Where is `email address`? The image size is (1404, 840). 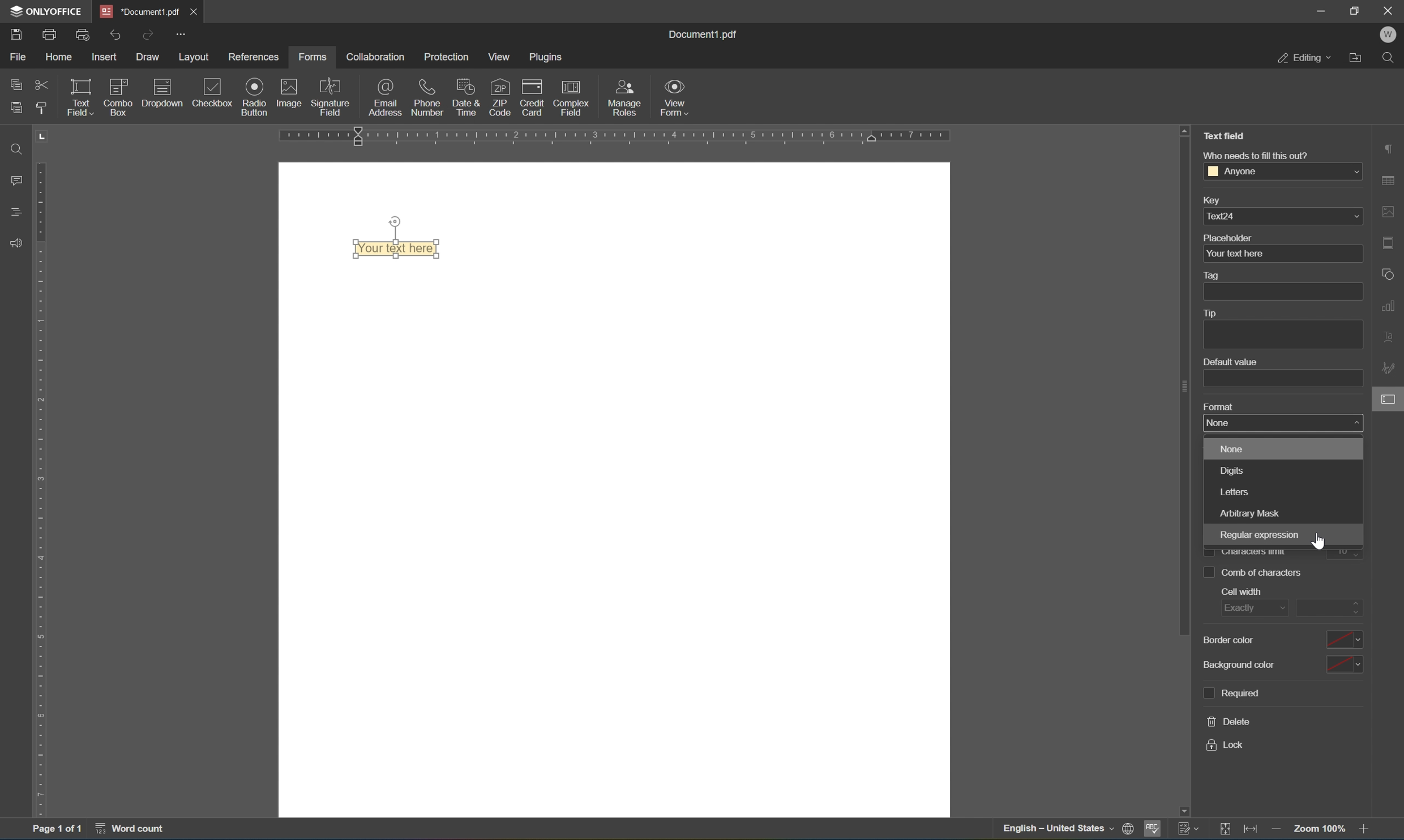 email address is located at coordinates (386, 97).